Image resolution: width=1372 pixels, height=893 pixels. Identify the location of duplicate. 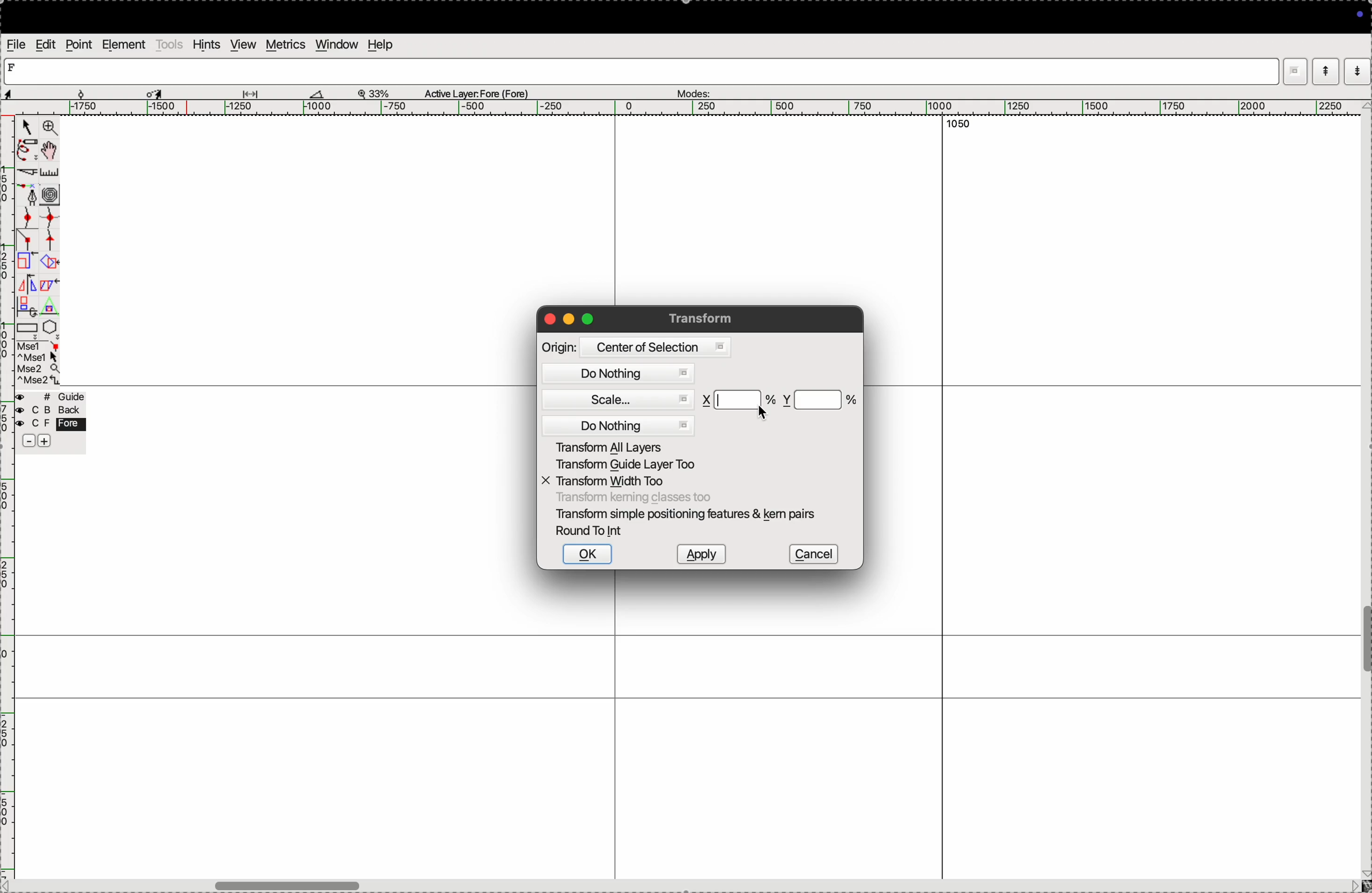
(24, 307).